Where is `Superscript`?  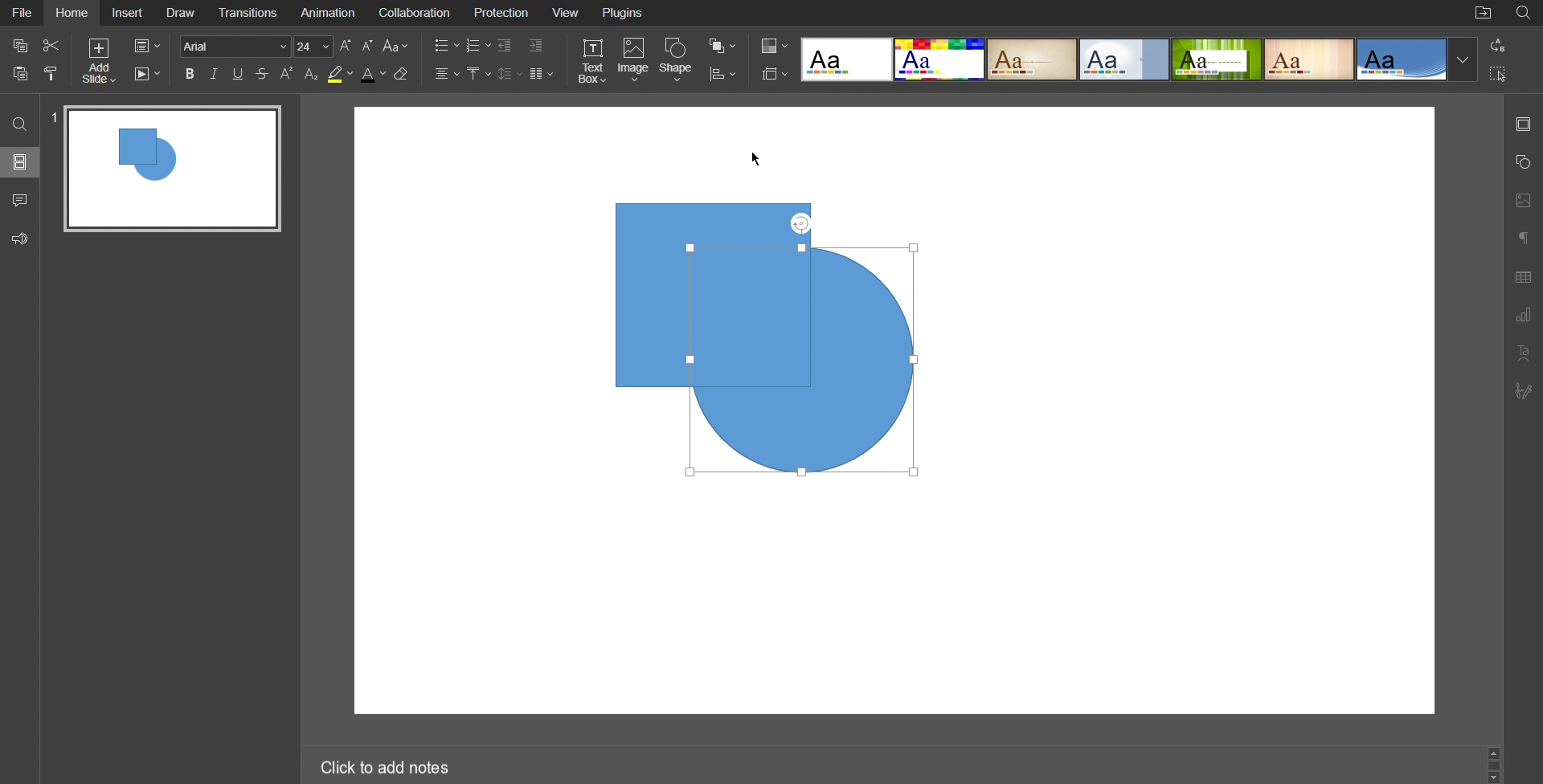 Superscript is located at coordinates (287, 75).